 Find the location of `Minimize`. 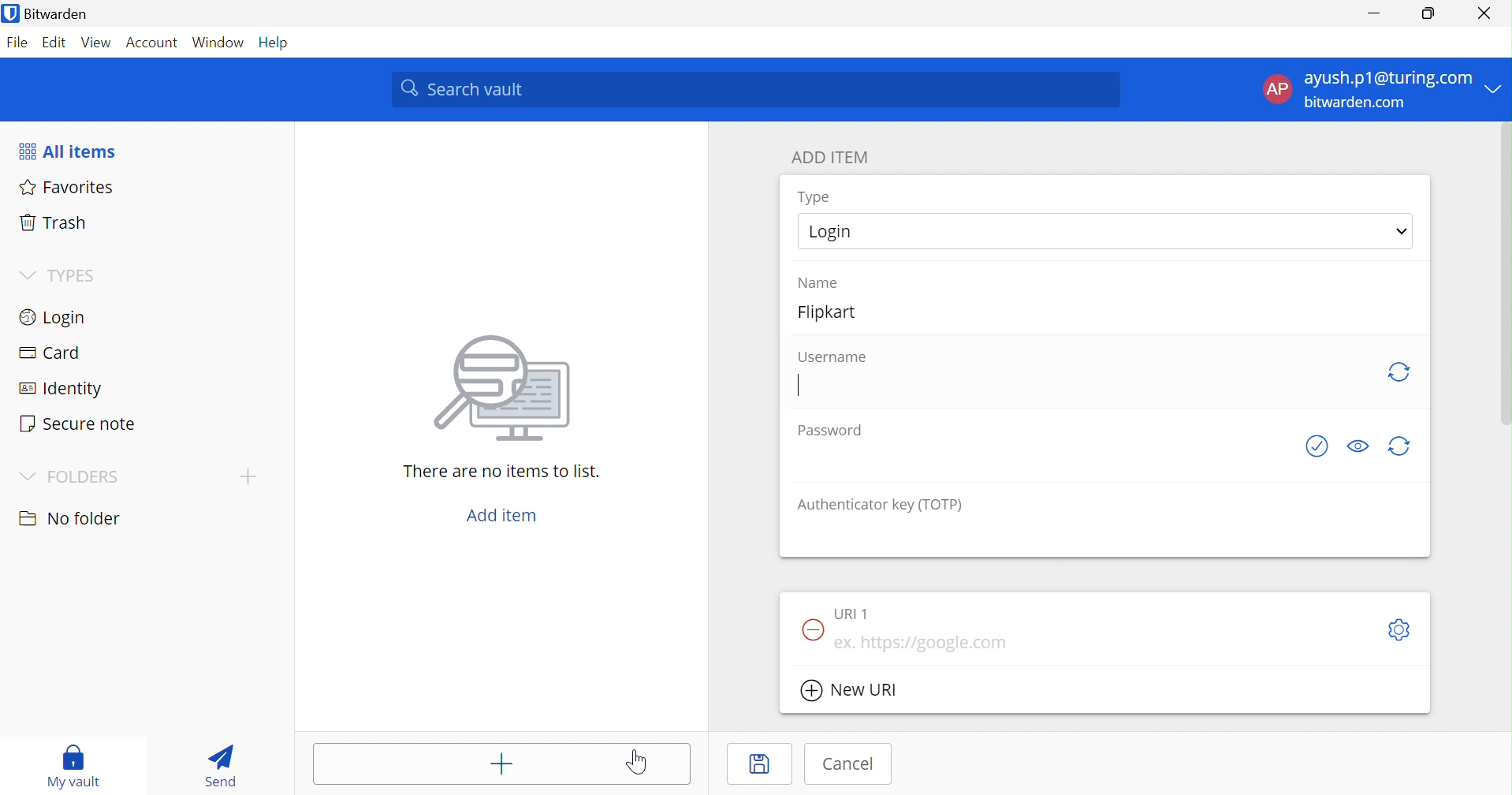

Minimize is located at coordinates (1371, 13).